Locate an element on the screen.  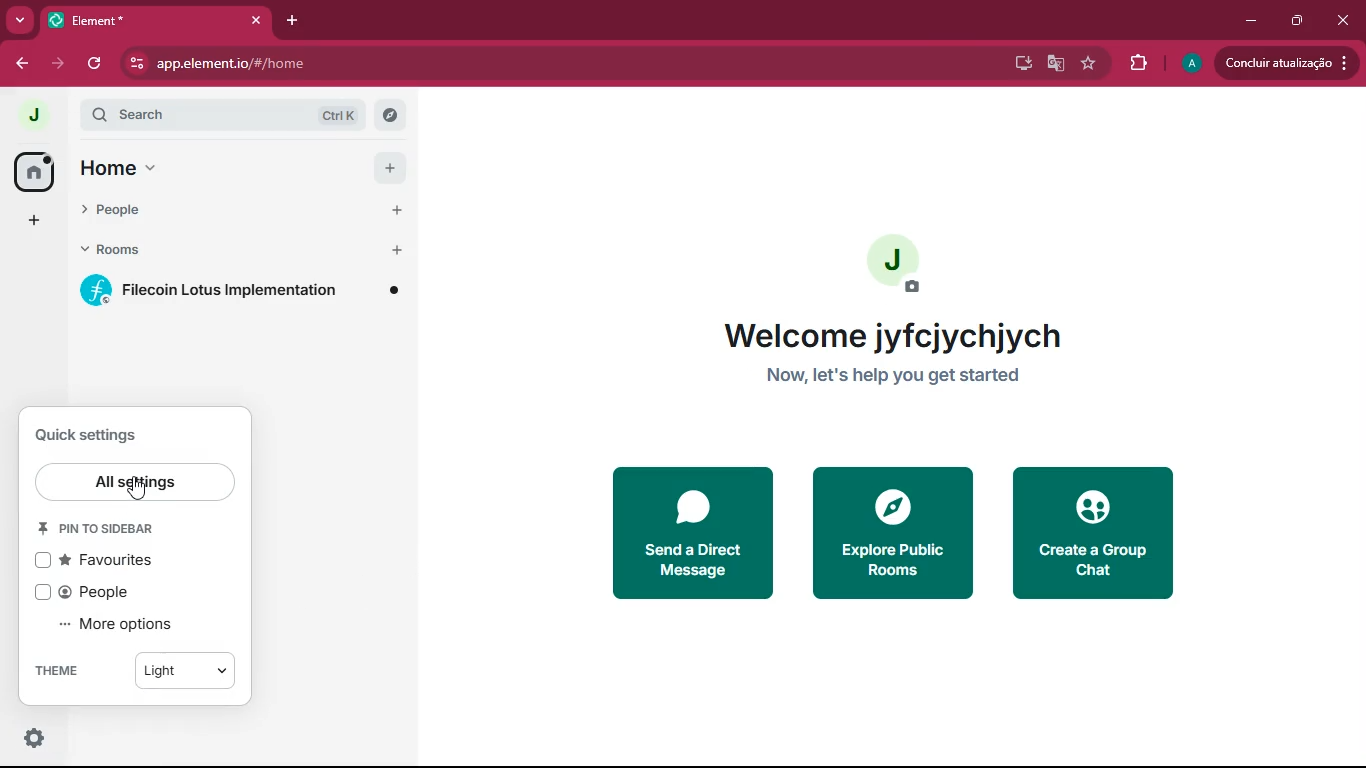
extensions is located at coordinates (1139, 64).